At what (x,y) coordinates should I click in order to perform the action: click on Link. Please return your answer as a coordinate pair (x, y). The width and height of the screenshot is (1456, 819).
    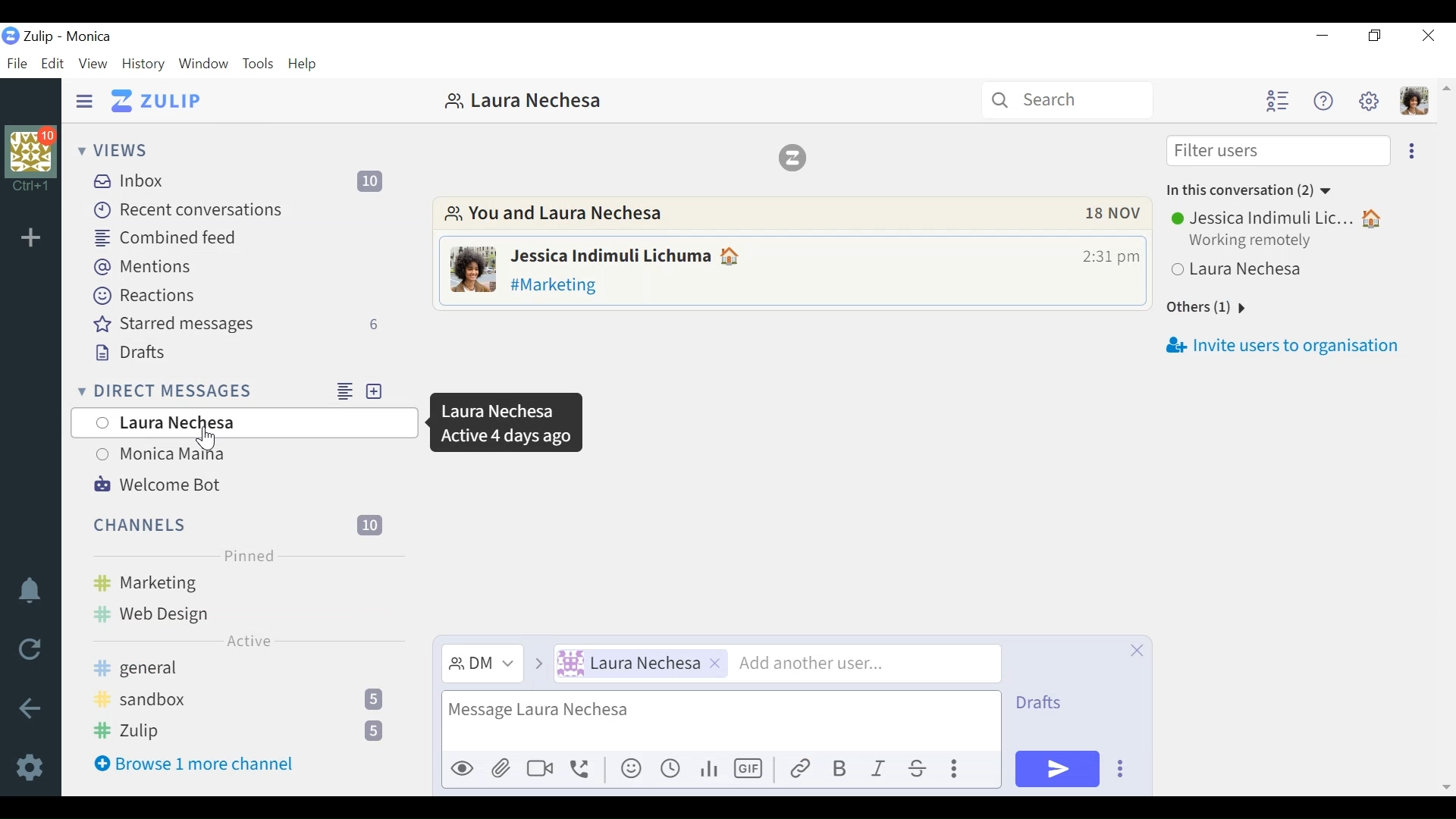
    Looking at the image, I should click on (799, 770).